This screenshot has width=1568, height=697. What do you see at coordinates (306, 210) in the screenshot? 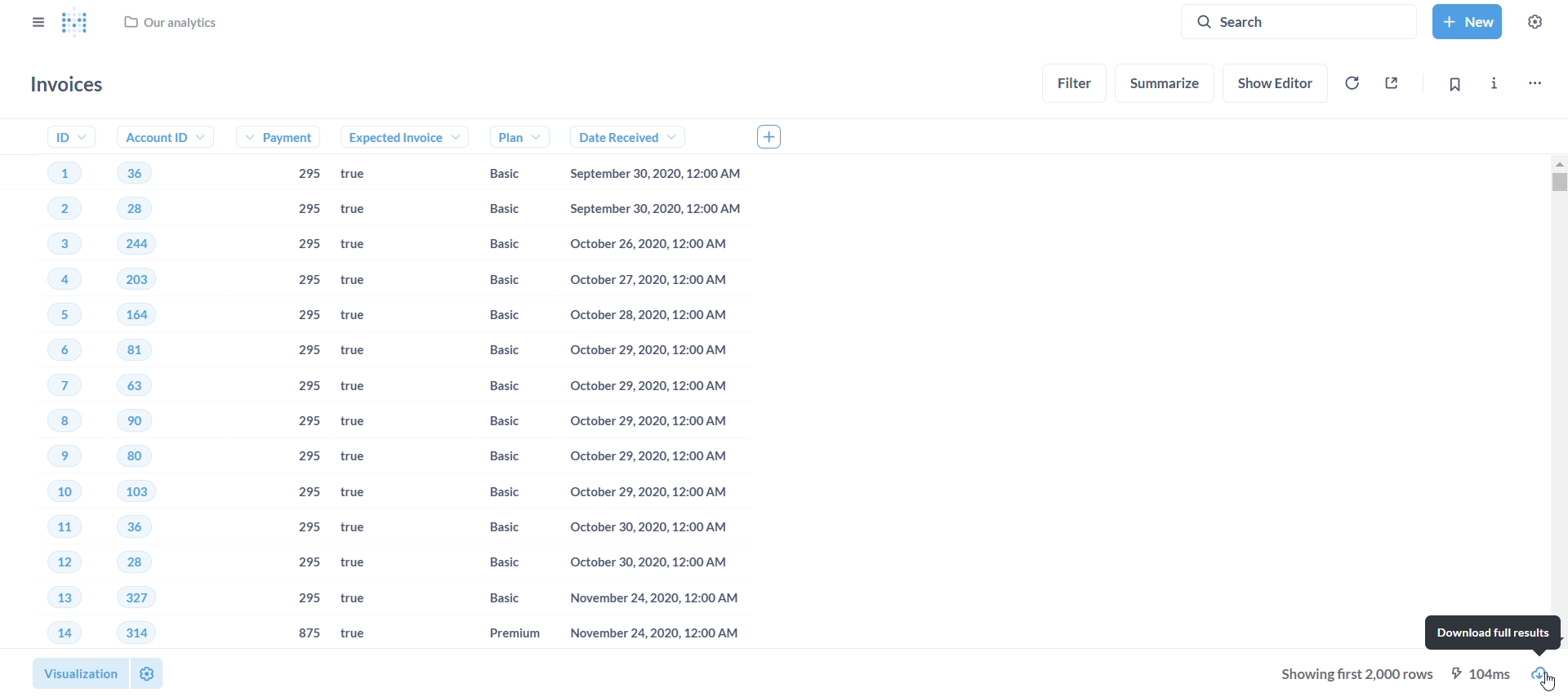
I see `295` at bounding box center [306, 210].